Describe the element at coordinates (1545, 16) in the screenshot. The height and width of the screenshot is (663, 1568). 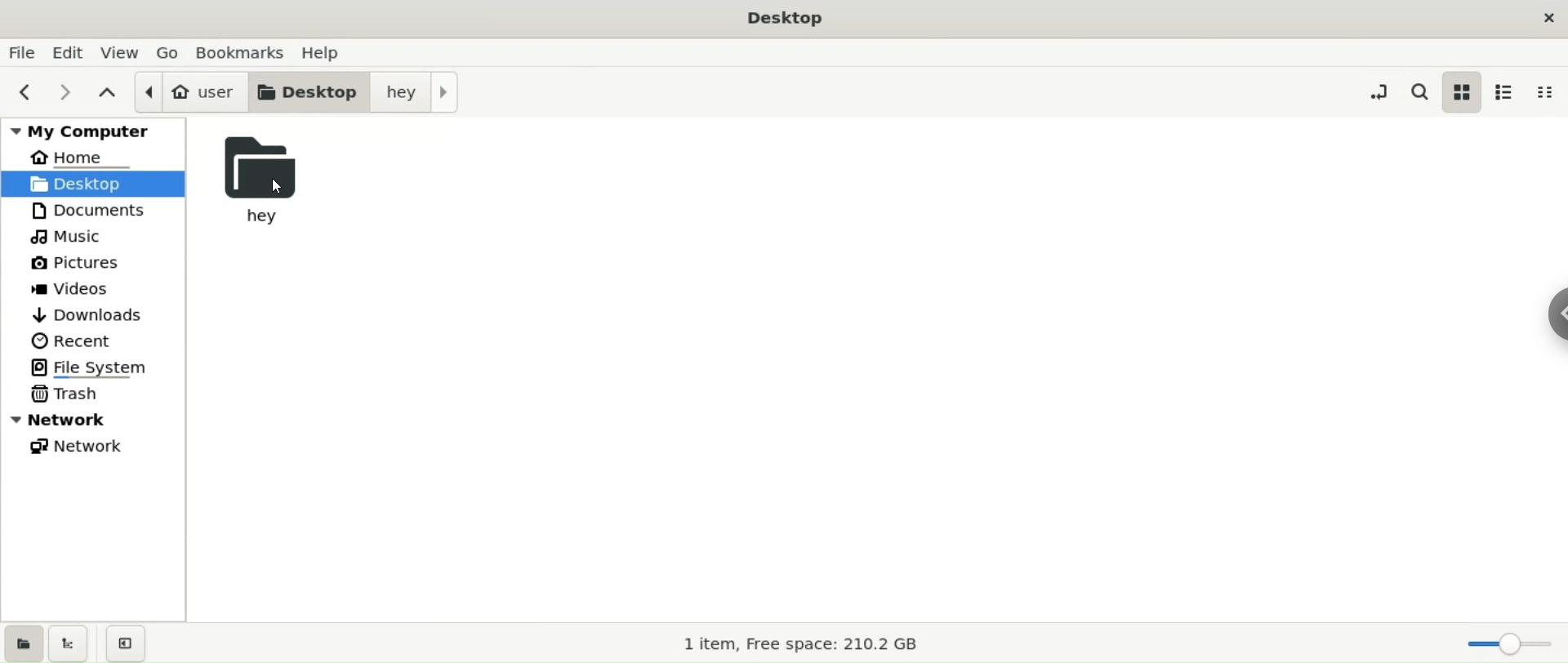
I see `close` at that location.